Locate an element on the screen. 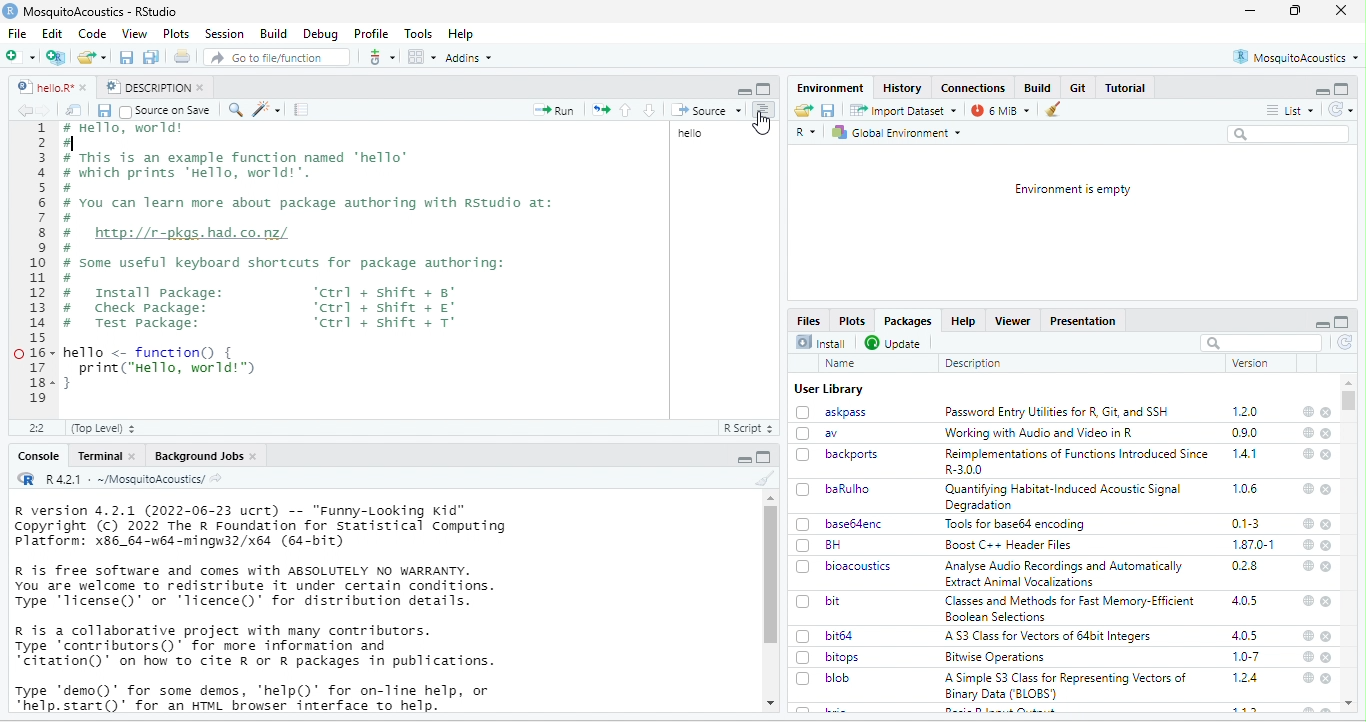 This screenshot has height=722, width=1366. Packages is located at coordinates (911, 322).